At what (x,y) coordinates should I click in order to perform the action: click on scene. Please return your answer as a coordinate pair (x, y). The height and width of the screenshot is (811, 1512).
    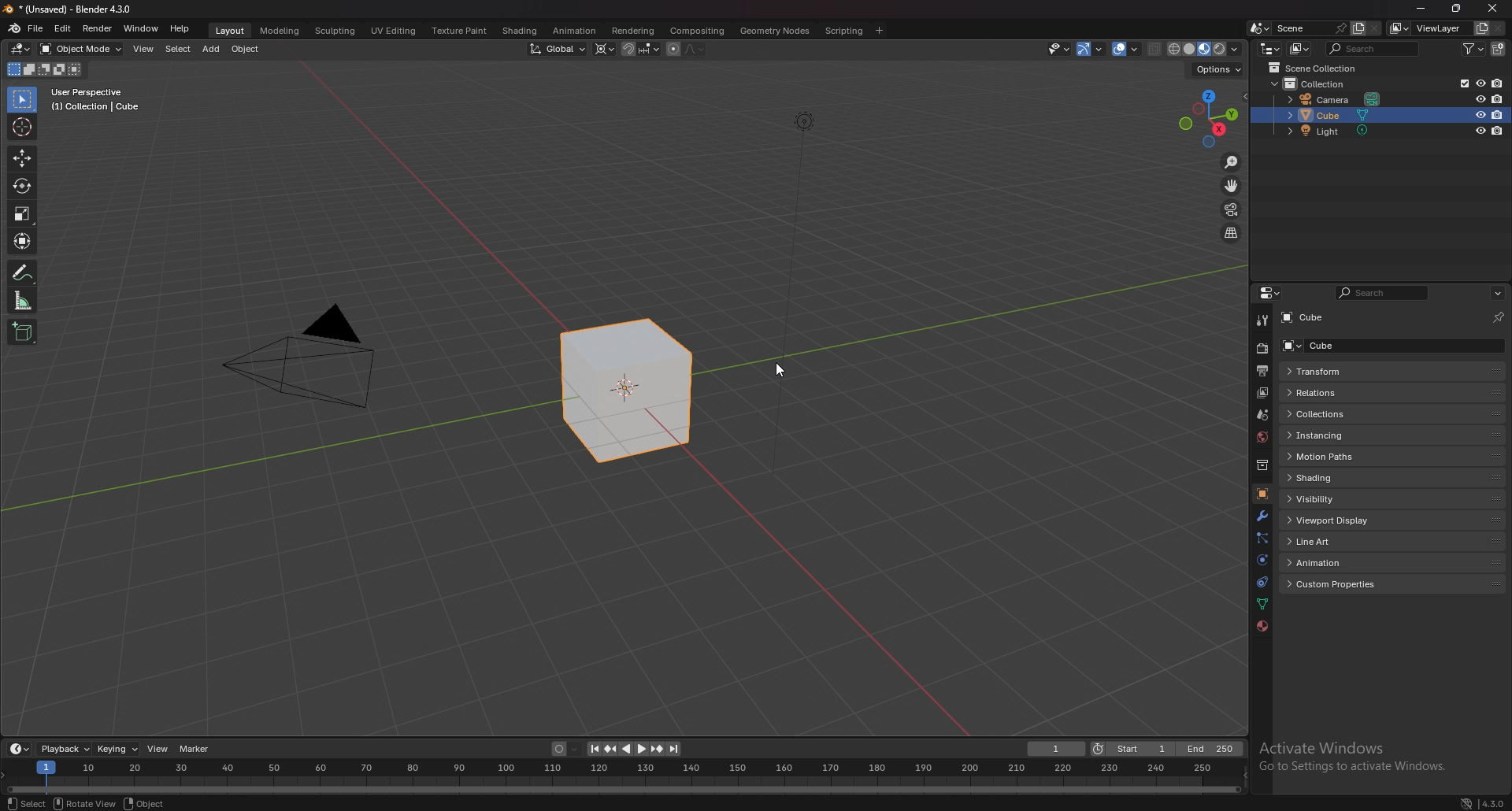
    Looking at the image, I should click on (1311, 28).